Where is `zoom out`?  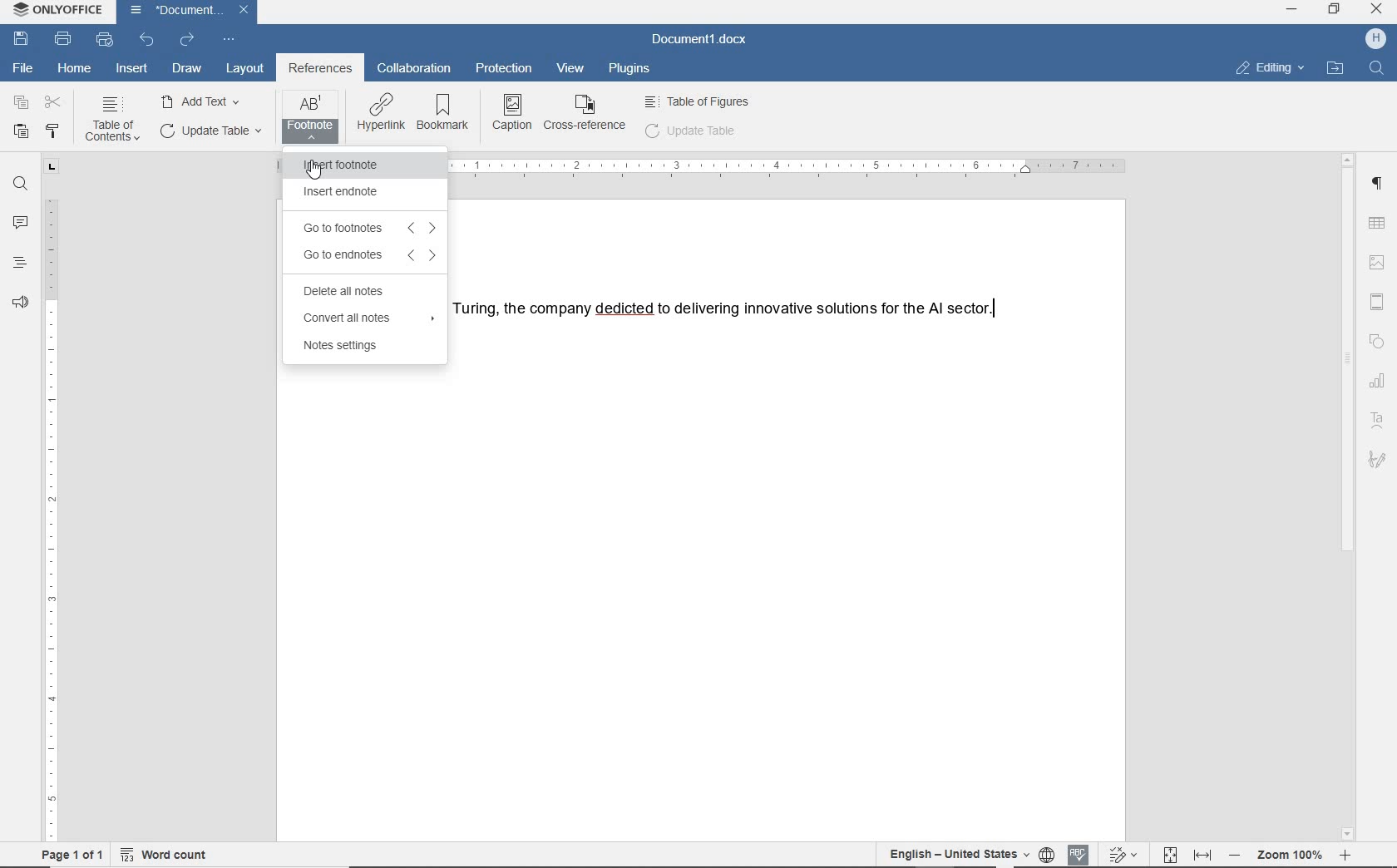 zoom out is located at coordinates (1239, 856).